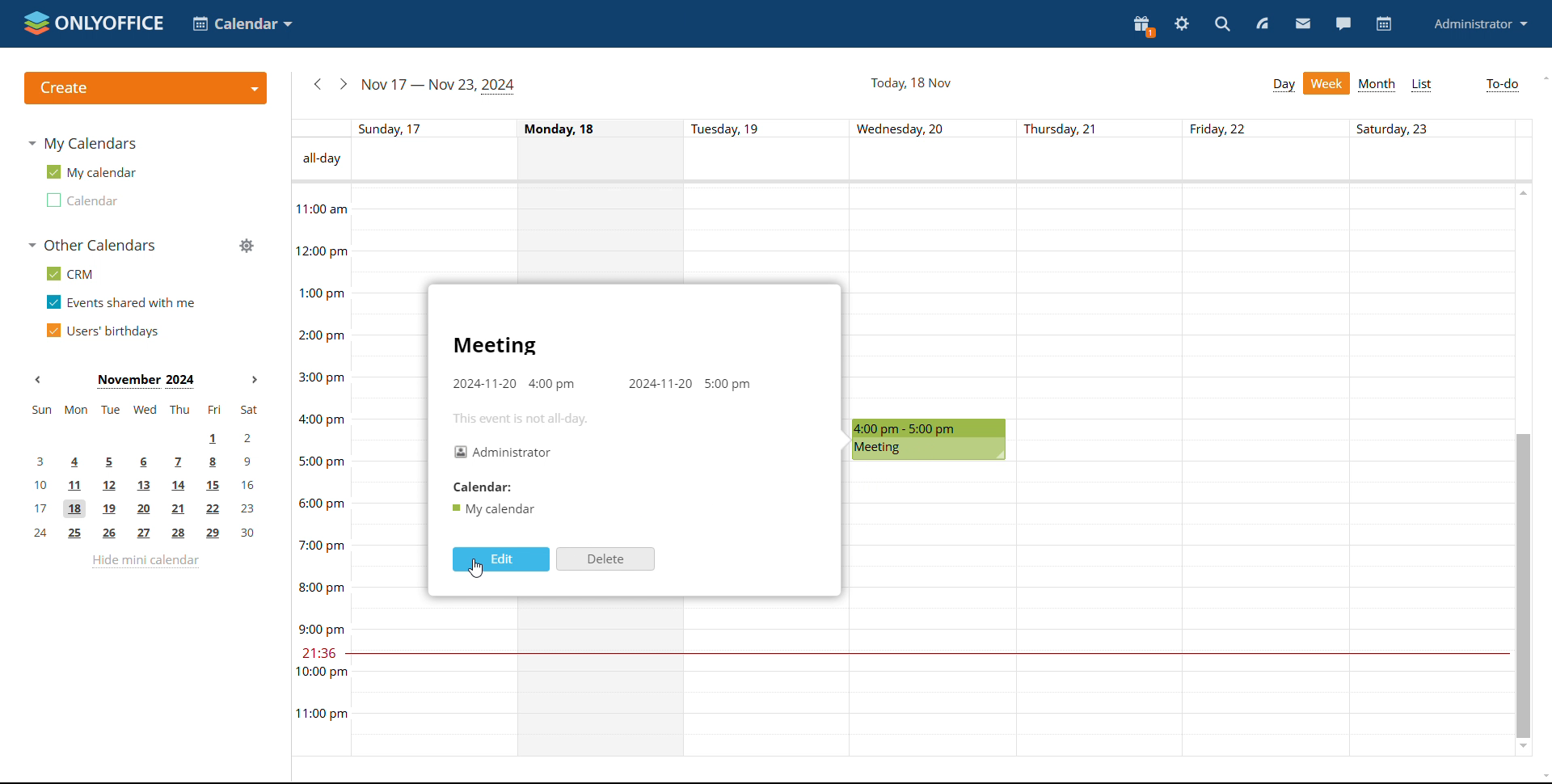  Describe the element at coordinates (102, 331) in the screenshot. I see `users' birthdays ` at that location.